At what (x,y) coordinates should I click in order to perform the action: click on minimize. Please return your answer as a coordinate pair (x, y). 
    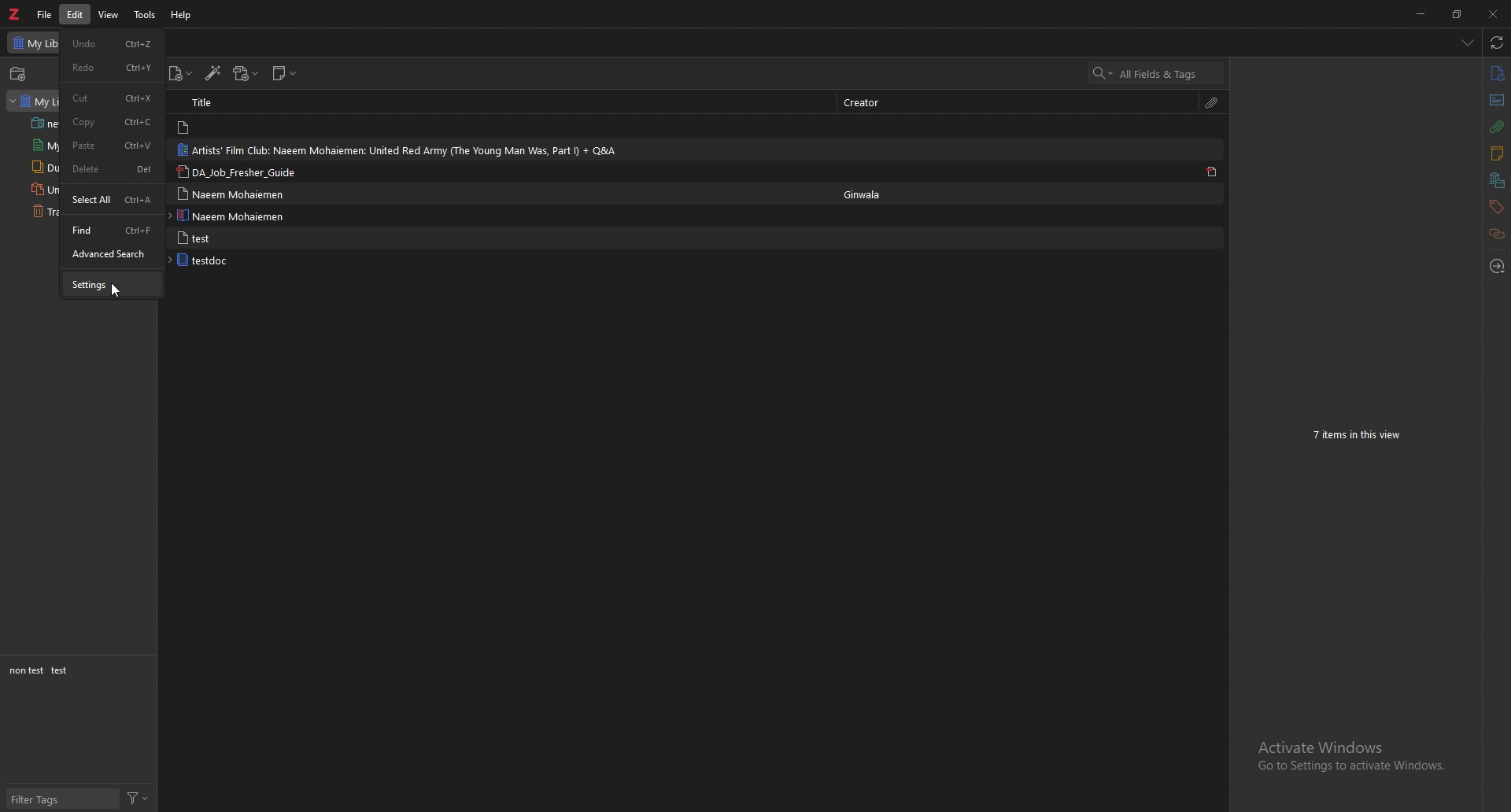
    Looking at the image, I should click on (1421, 13).